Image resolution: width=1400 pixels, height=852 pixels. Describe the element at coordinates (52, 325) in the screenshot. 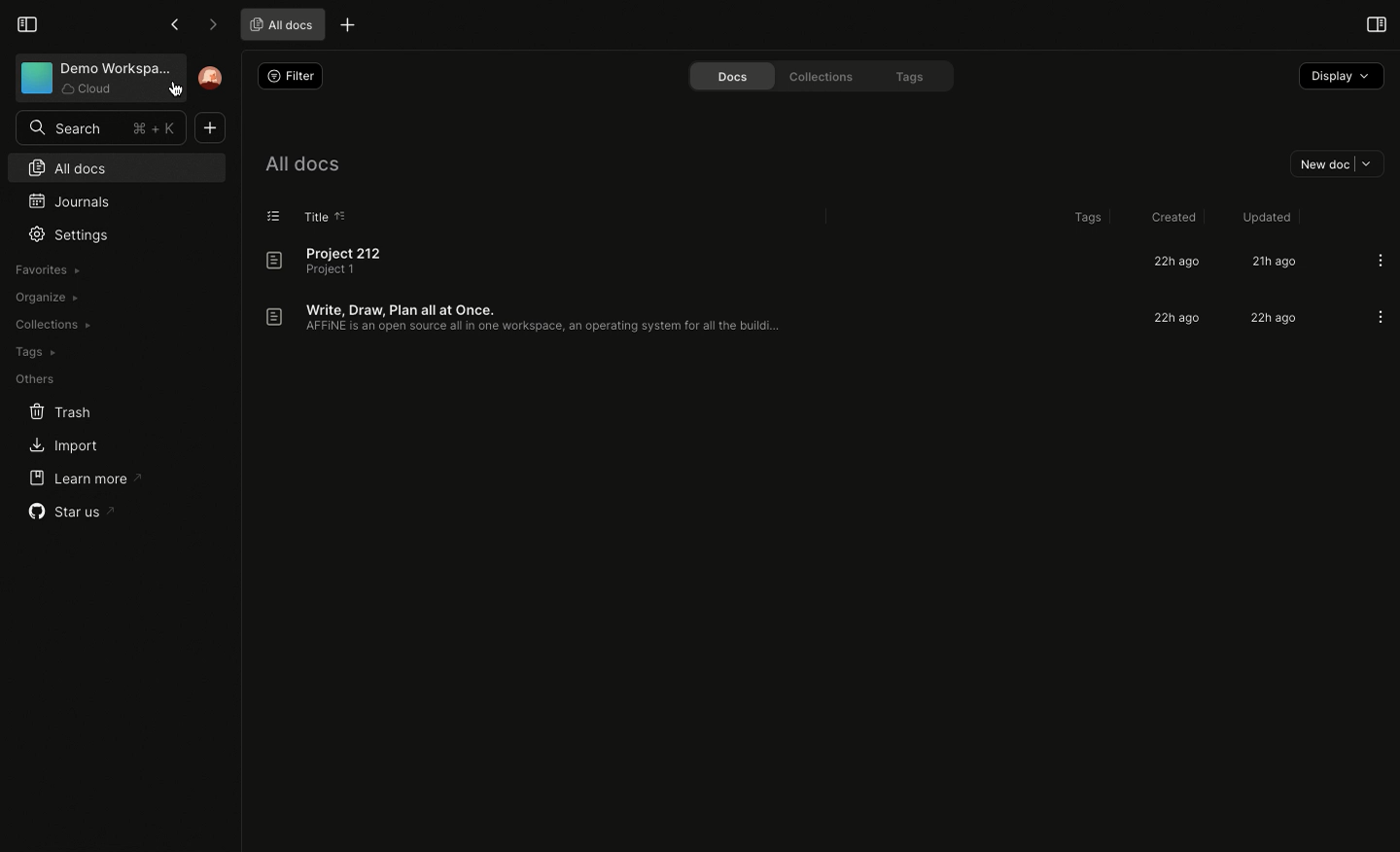

I see `Collections` at that location.